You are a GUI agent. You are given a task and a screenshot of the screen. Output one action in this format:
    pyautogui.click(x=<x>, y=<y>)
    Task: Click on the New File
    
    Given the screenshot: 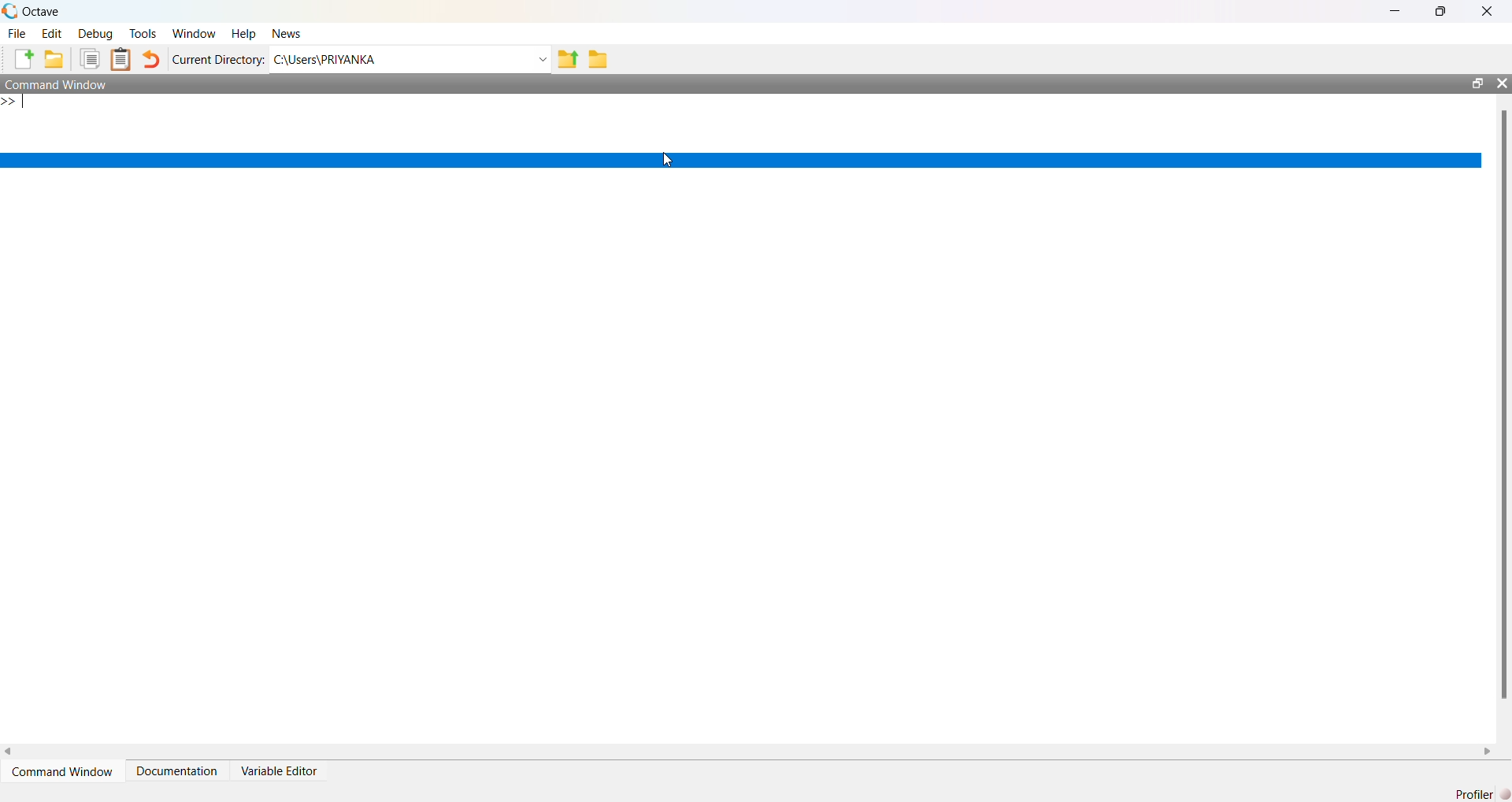 What is the action you would take?
    pyautogui.click(x=24, y=59)
    